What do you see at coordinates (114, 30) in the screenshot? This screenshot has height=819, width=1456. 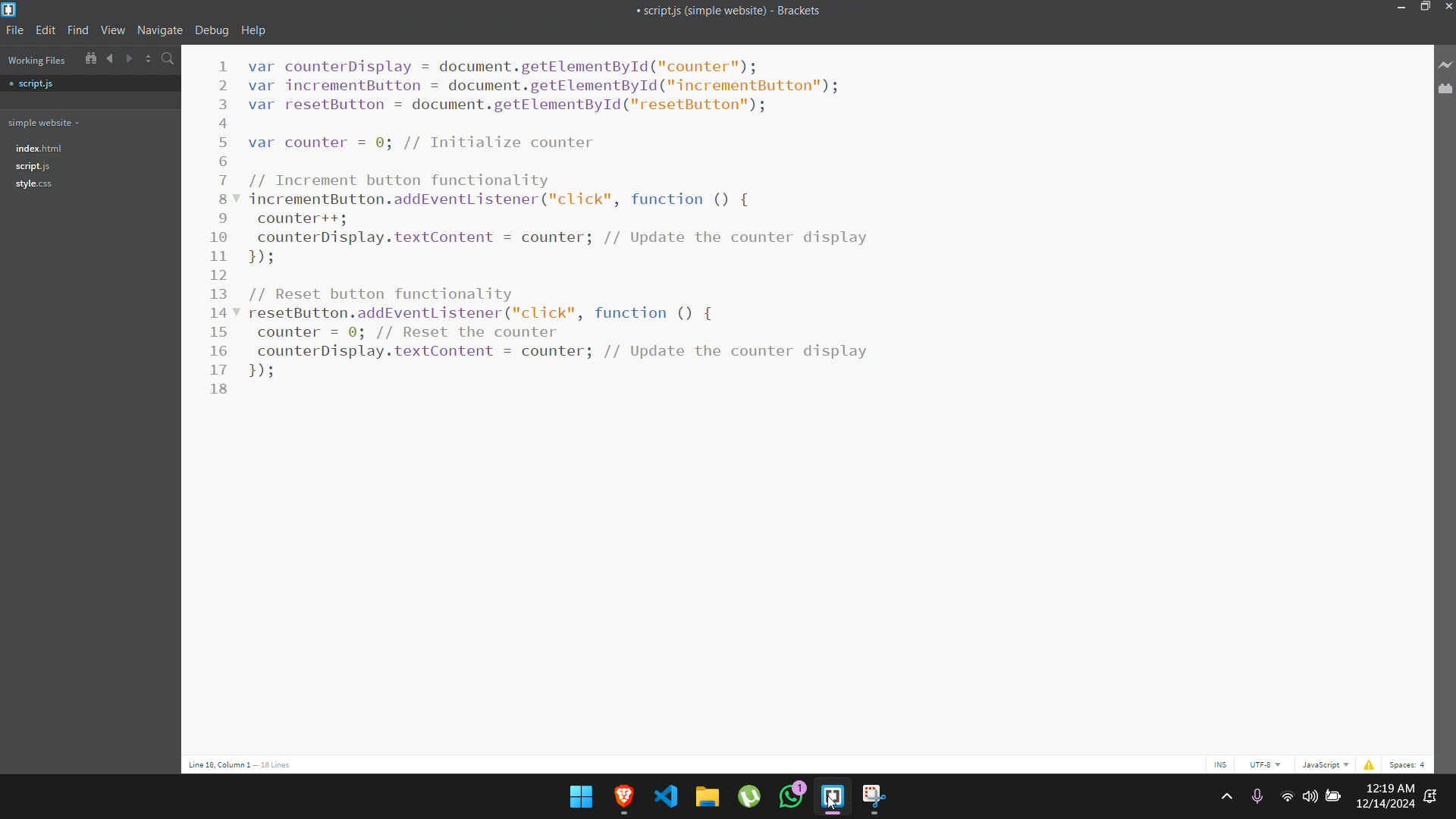 I see `view` at bounding box center [114, 30].